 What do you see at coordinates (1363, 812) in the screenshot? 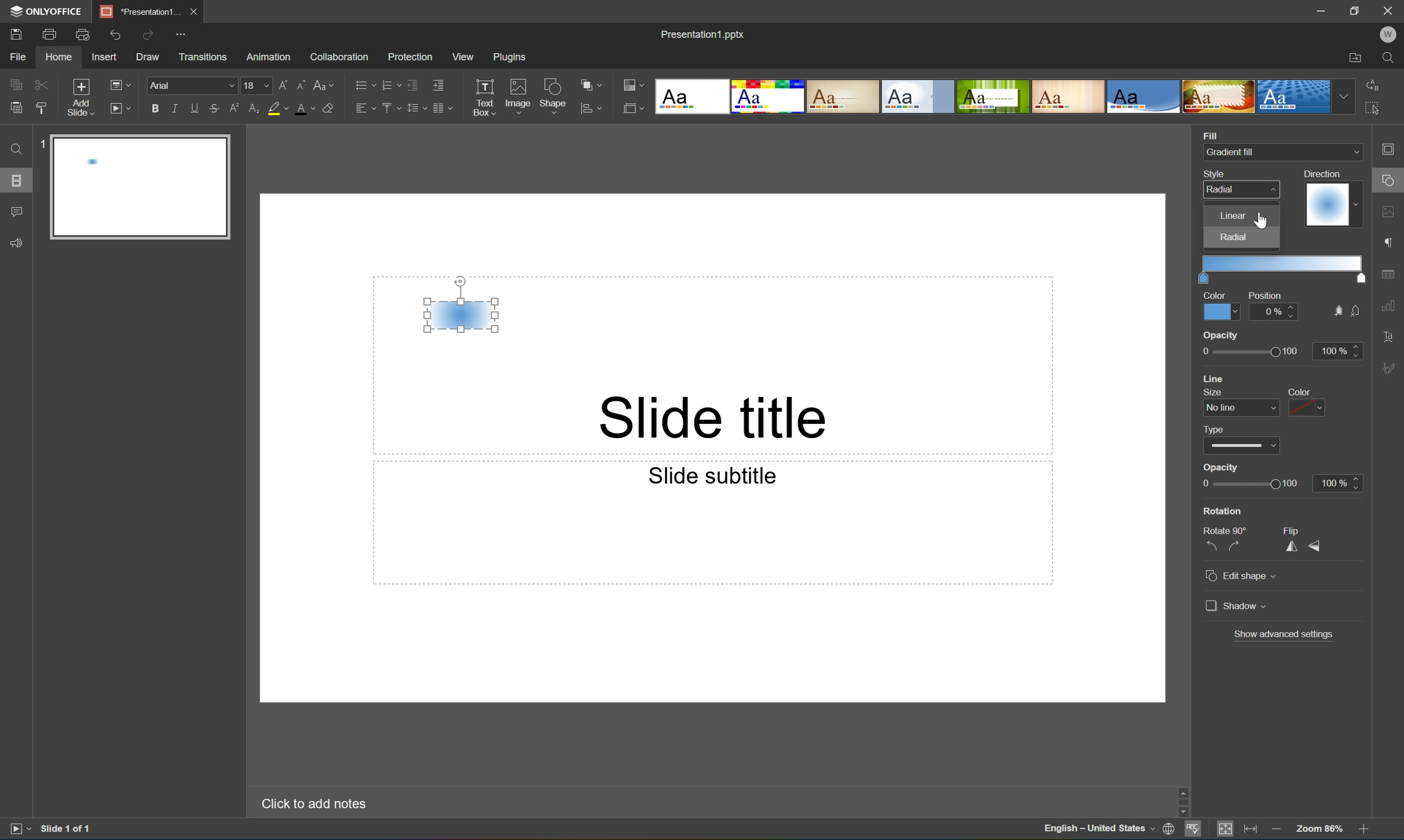
I see `Scroll Down` at bounding box center [1363, 812].